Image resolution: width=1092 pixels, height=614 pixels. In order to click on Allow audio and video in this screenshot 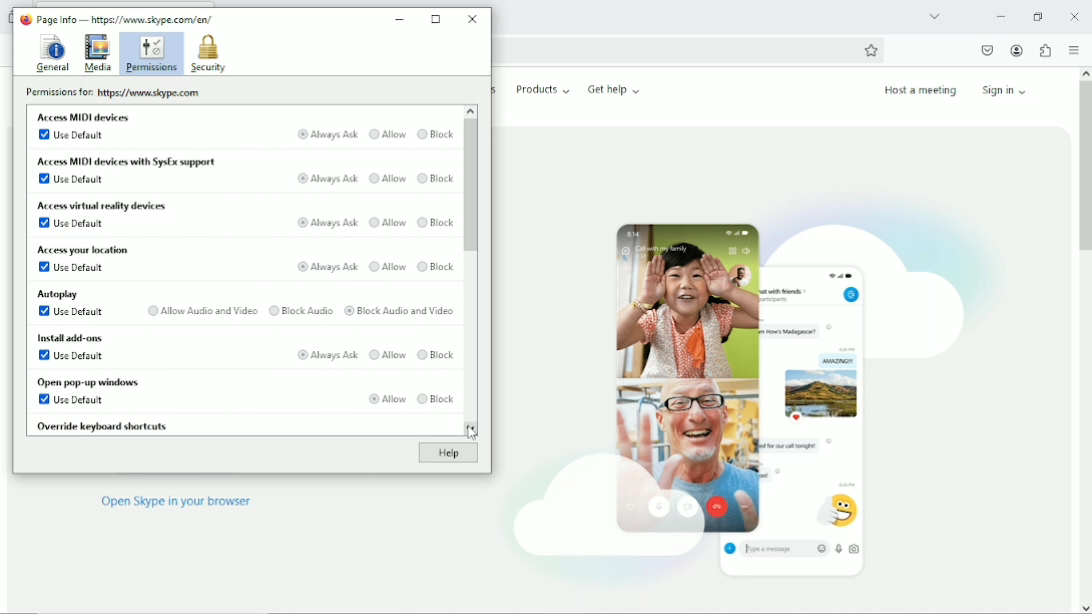, I will do `click(199, 310)`.